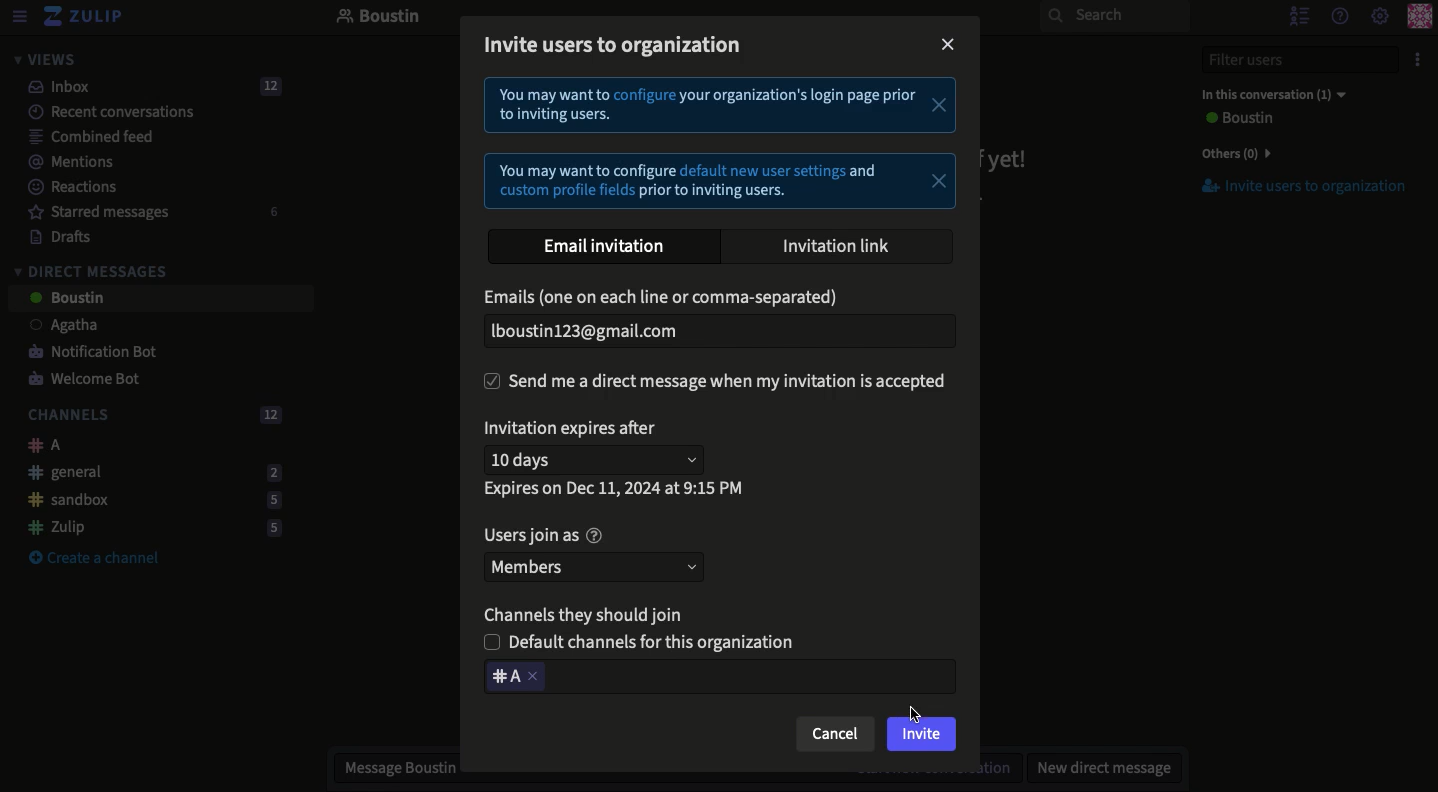 This screenshot has width=1438, height=792. I want to click on Filter users, so click(1288, 60).